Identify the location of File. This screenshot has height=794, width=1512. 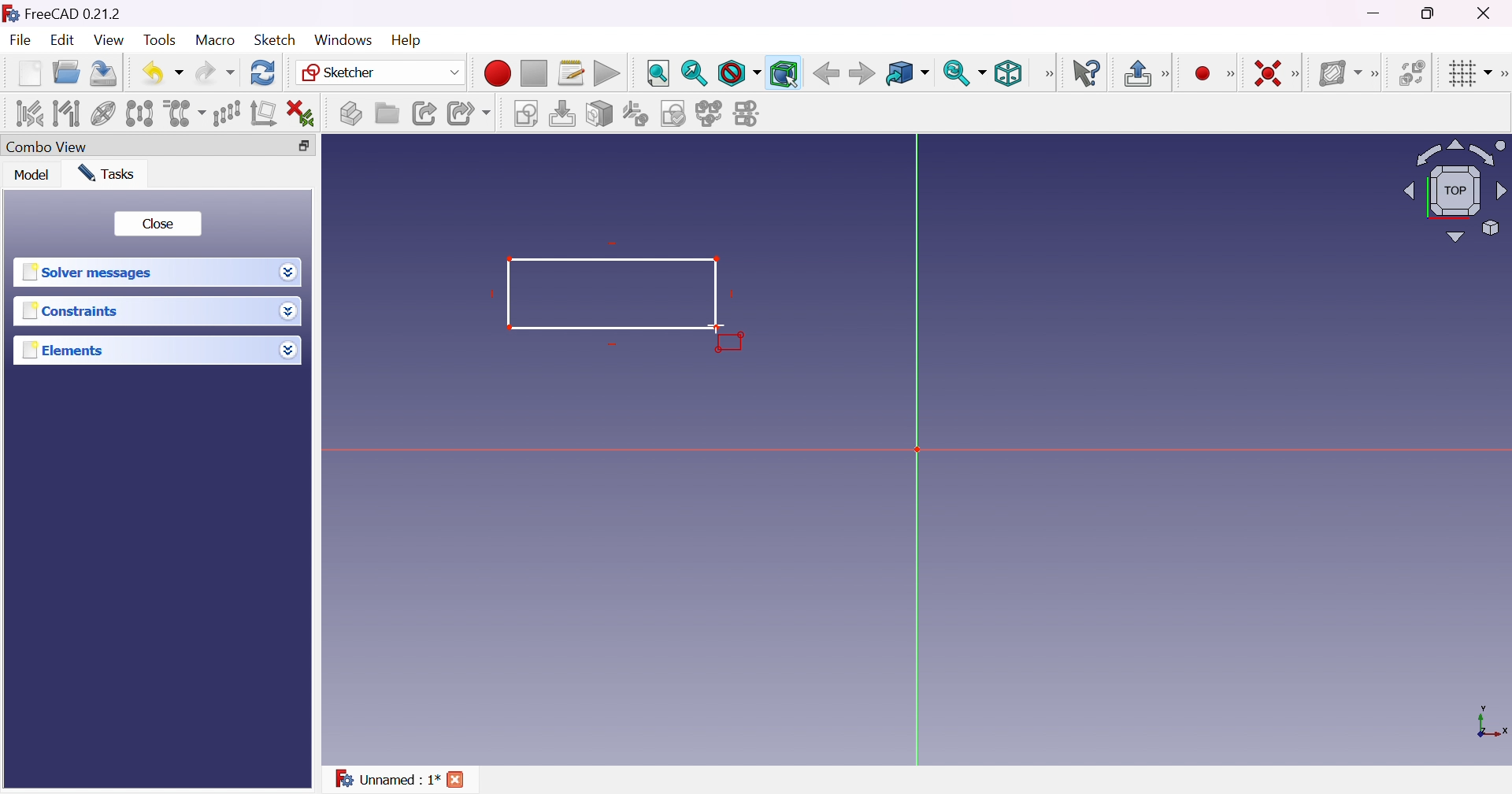
(20, 39).